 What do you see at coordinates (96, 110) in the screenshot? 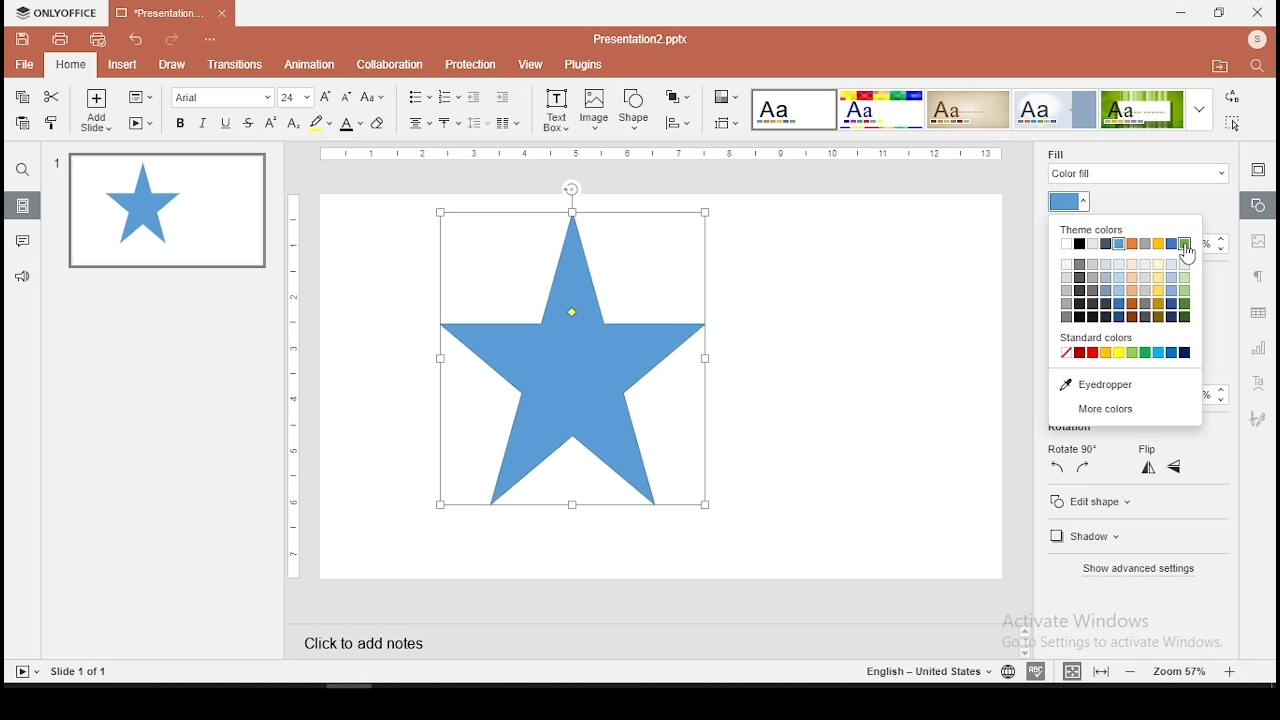
I see `add slide` at bounding box center [96, 110].